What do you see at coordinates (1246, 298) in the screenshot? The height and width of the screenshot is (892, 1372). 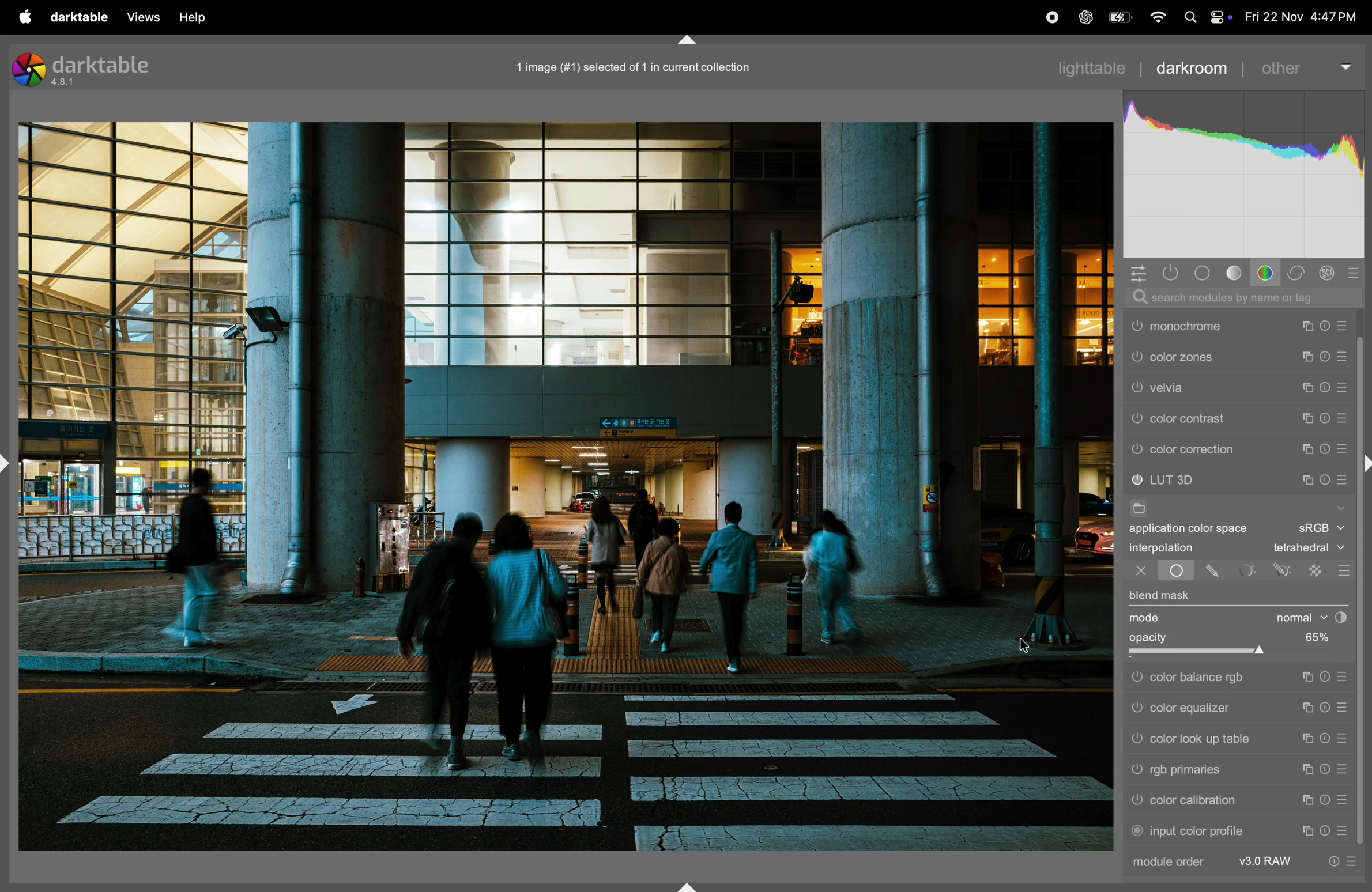 I see `search bar` at bounding box center [1246, 298].